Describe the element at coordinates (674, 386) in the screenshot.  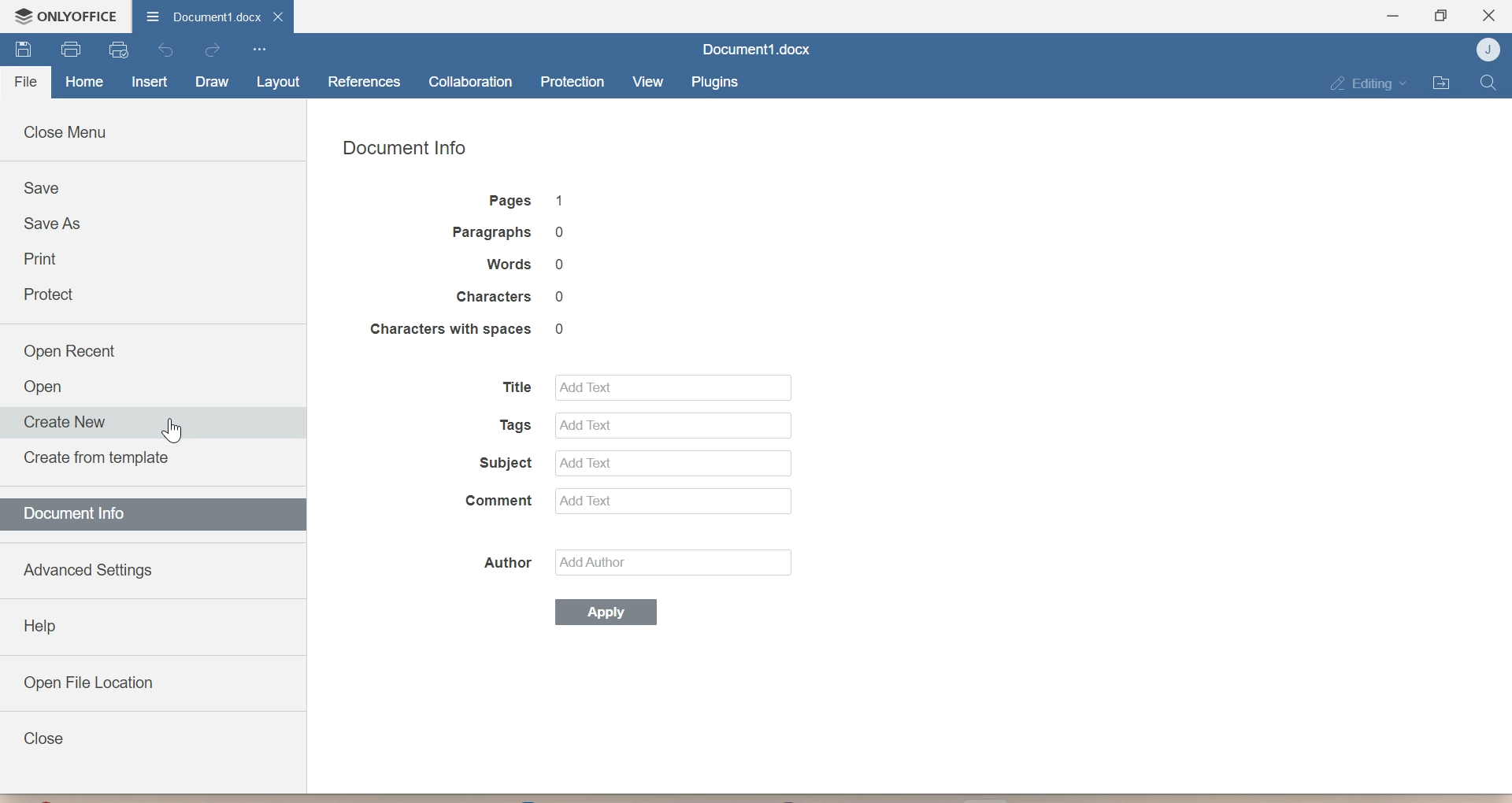
I see `Add text` at that location.